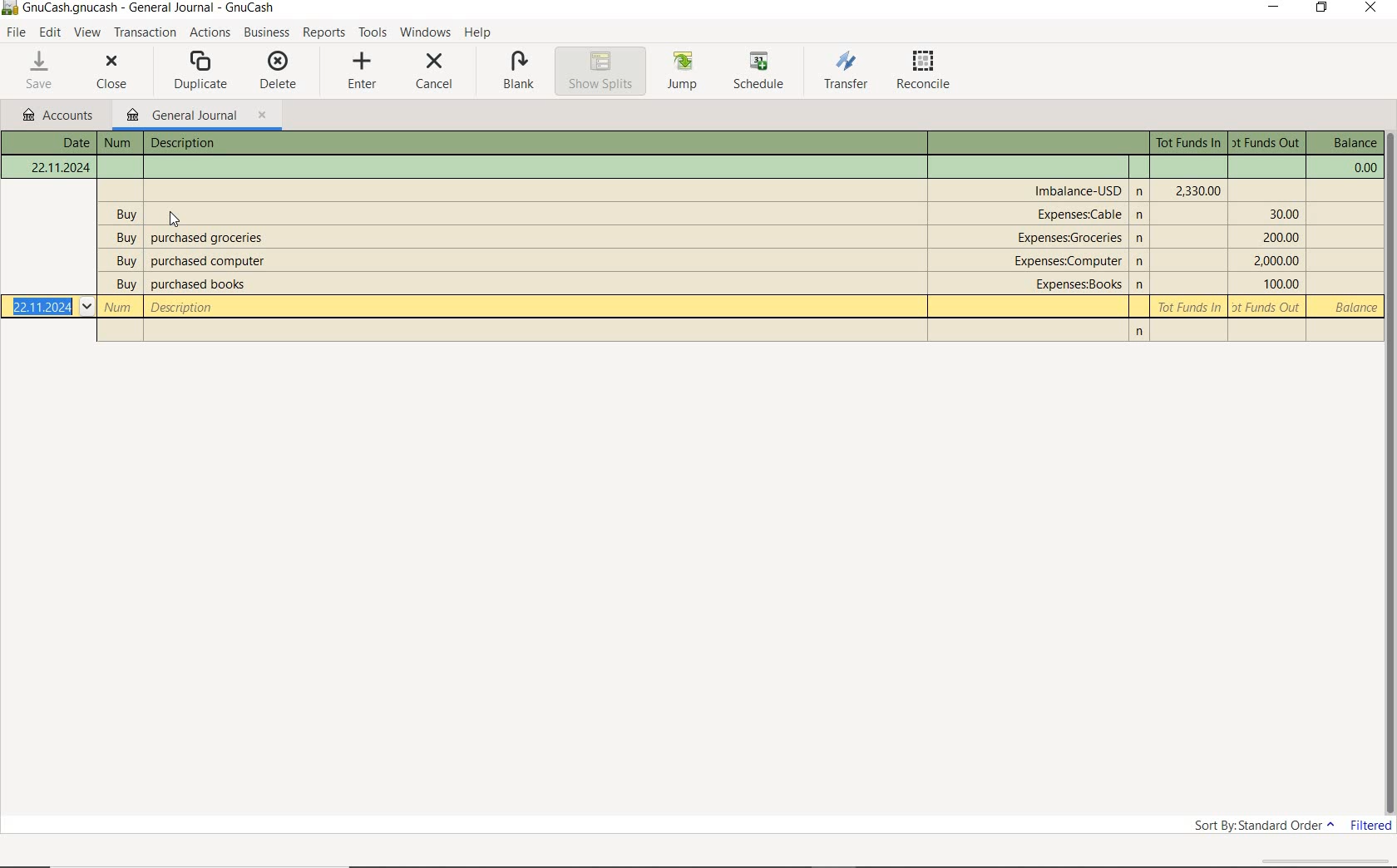  Describe the element at coordinates (202, 72) in the screenshot. I see `duplicate` at that location.